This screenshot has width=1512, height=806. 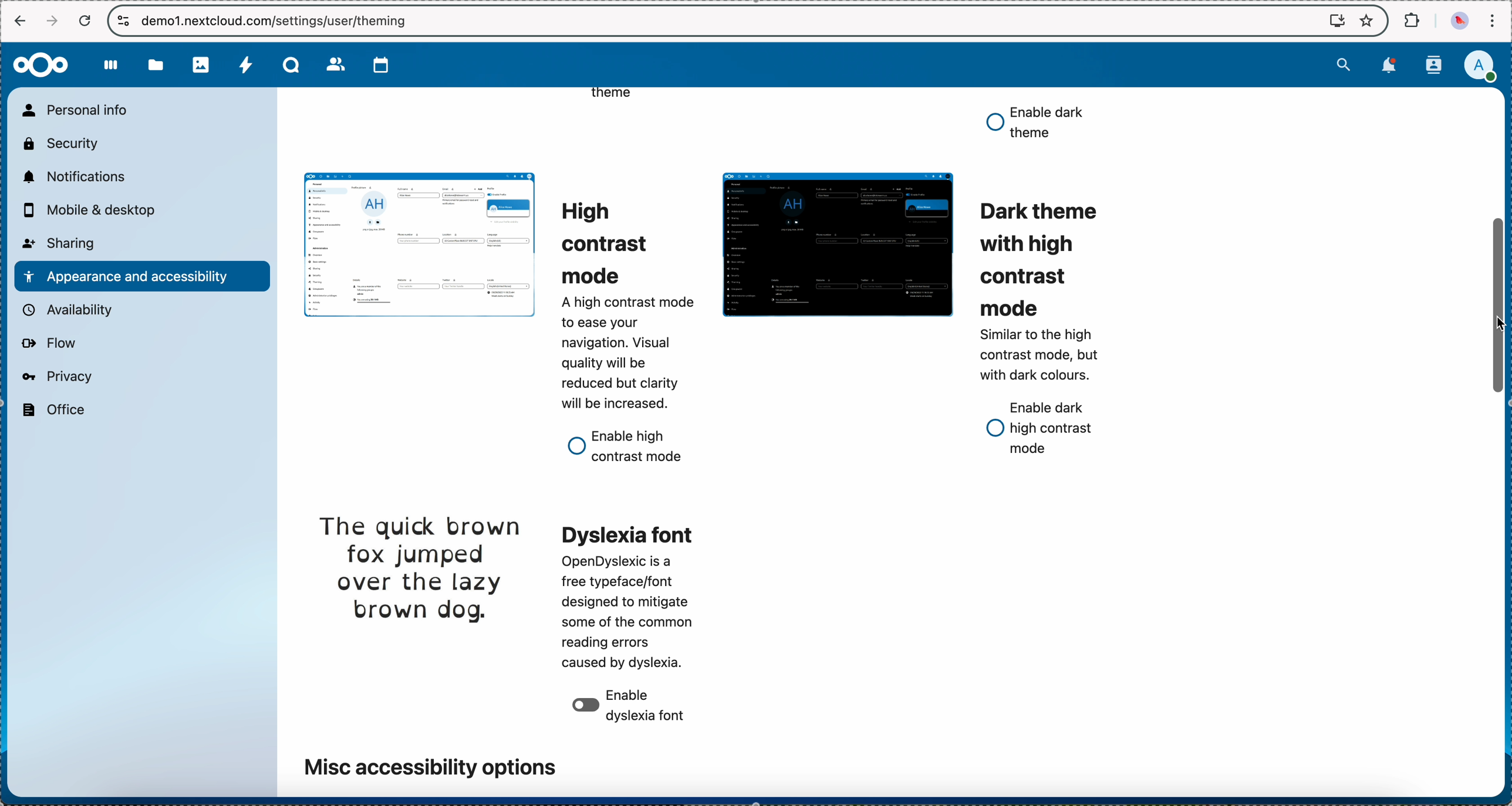 I want to click on dyslexia font theme preview, so click(x=420, y=569).